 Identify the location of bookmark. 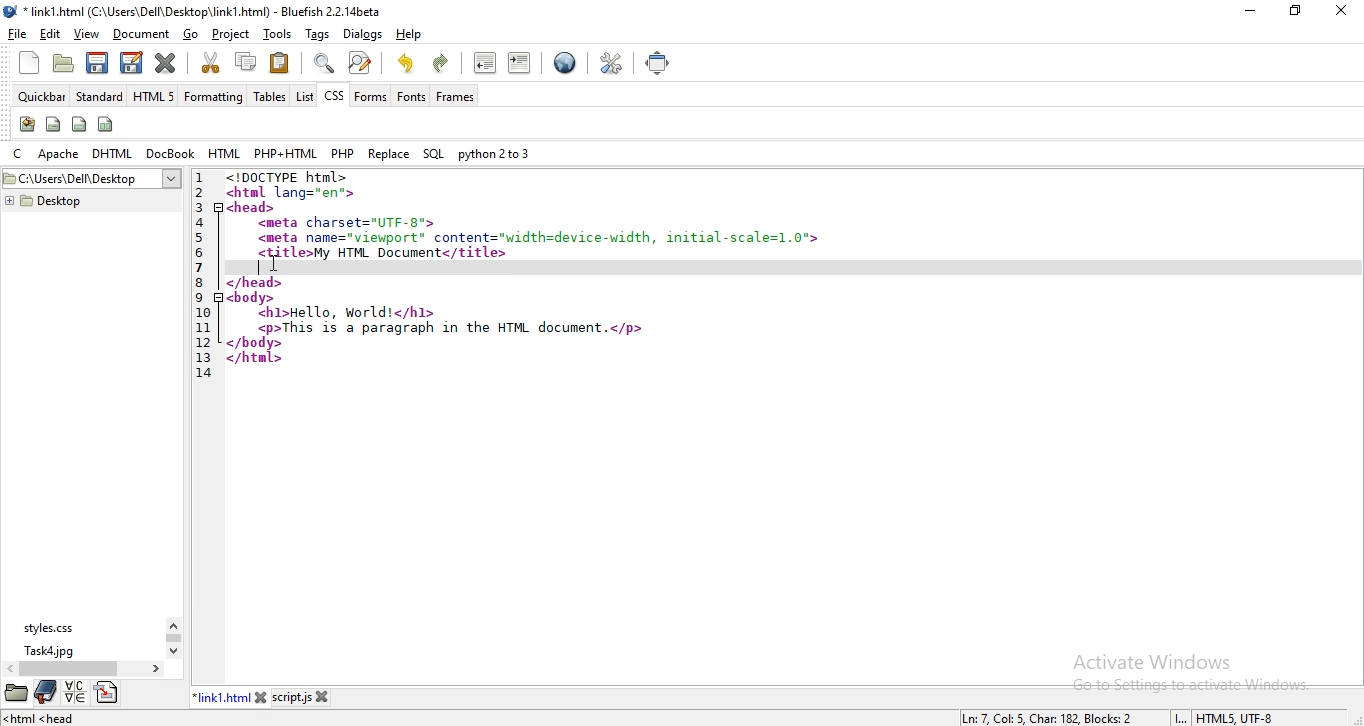
(45, 691).